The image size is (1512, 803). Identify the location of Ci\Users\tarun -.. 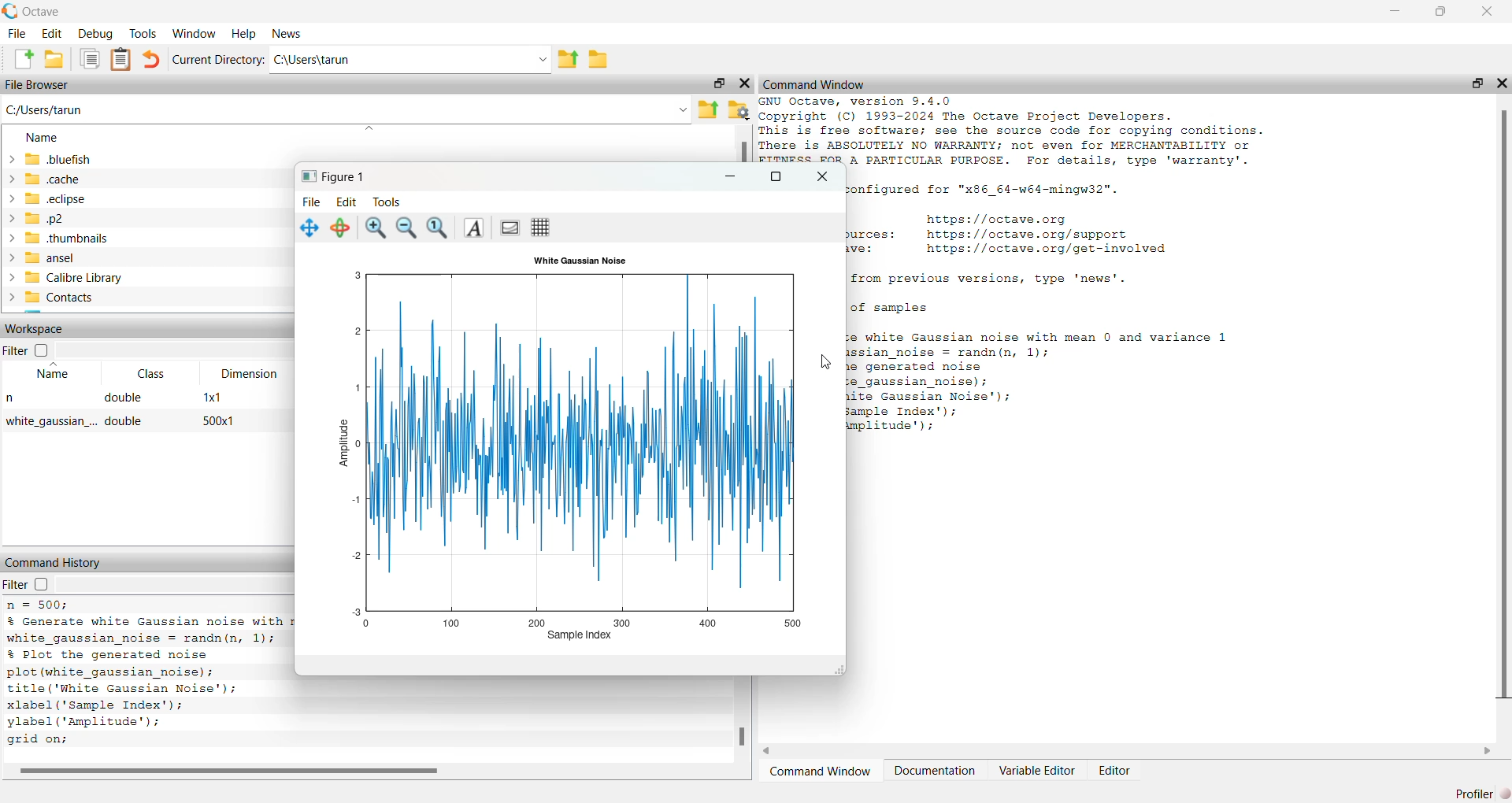
(412, 59).